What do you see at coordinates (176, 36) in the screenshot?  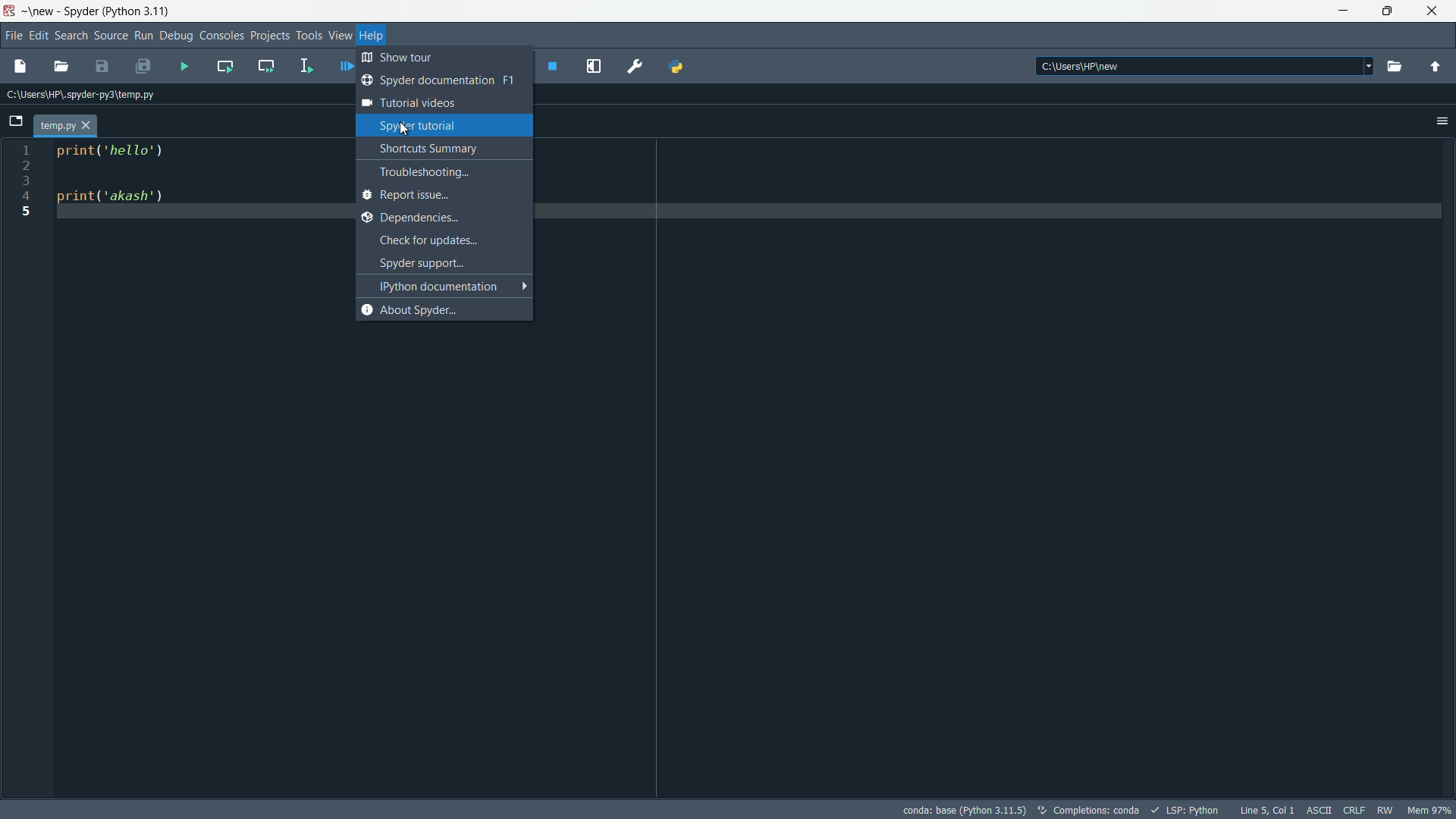 I see `debug menu` at bounding box center [176, 36].